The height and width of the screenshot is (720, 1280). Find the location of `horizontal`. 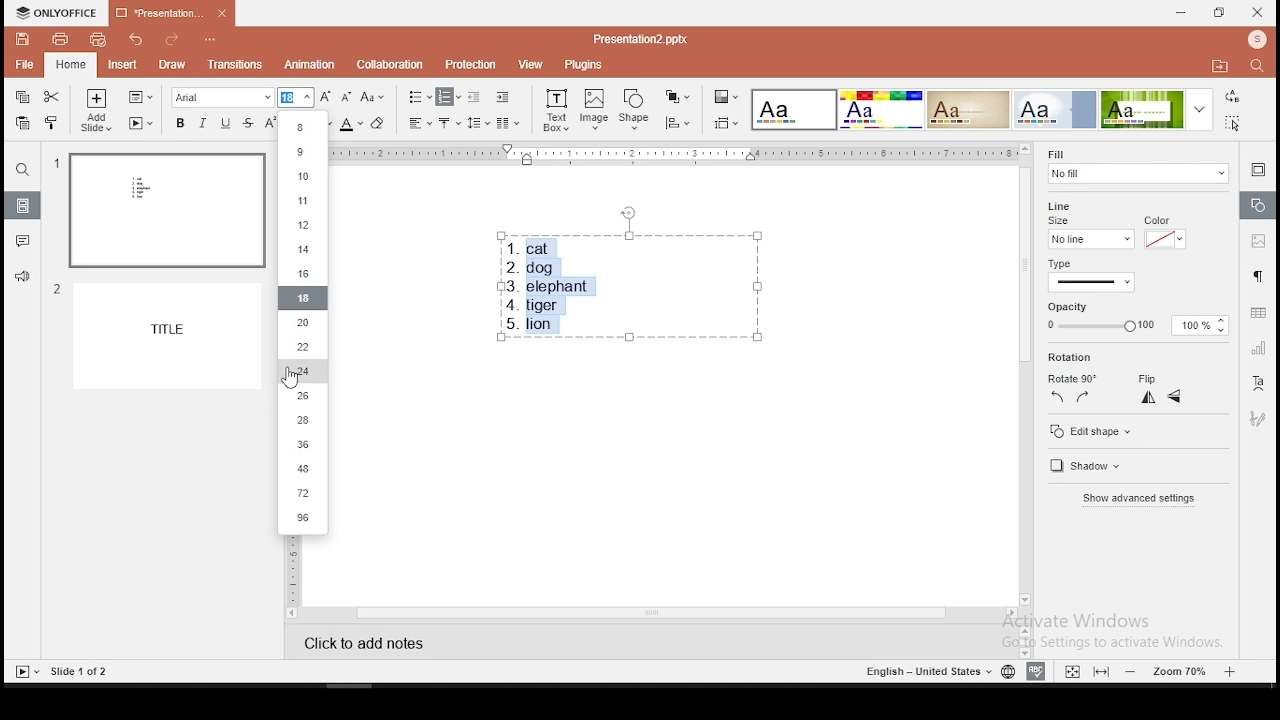

horizontal is located at coordinates (1176, 398).